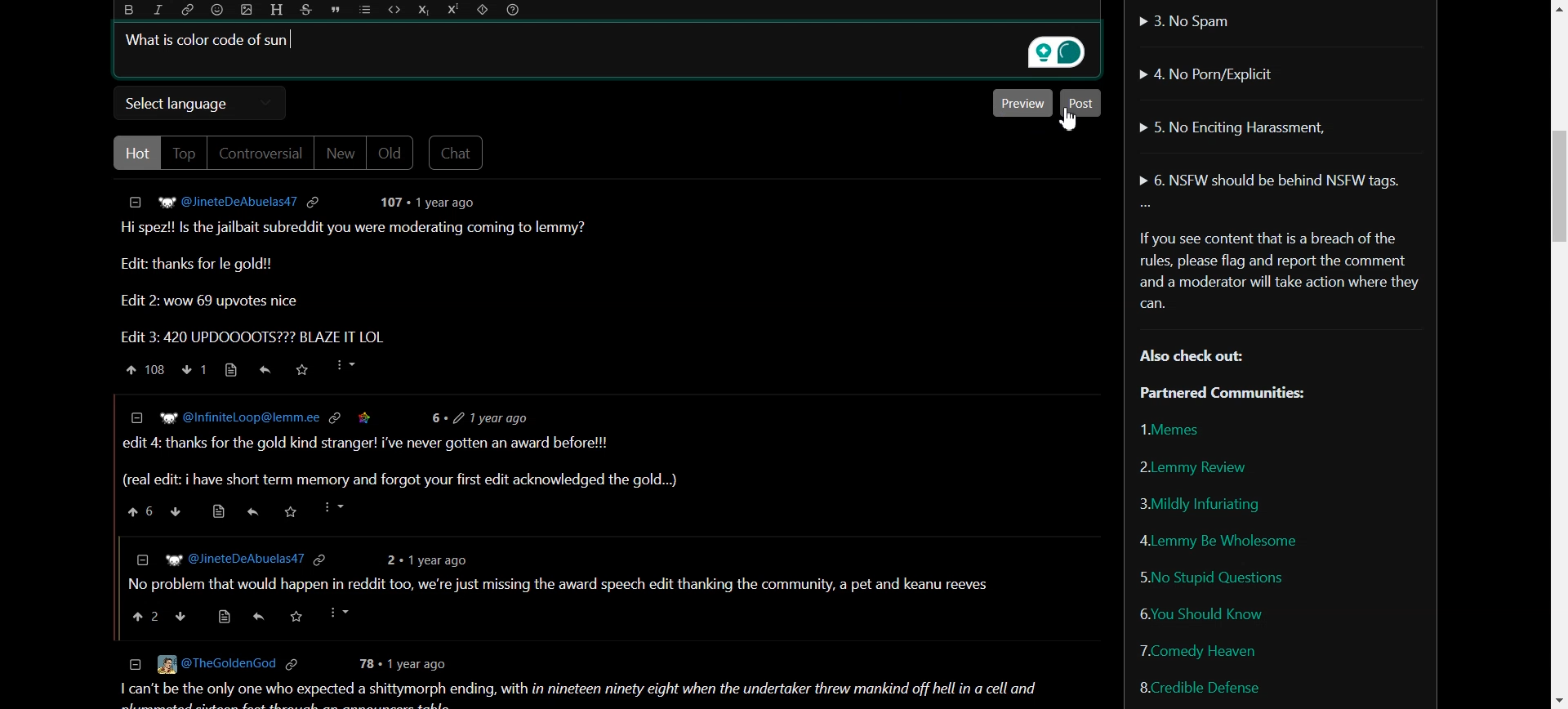  I want to click on Top, so click(183, 153).